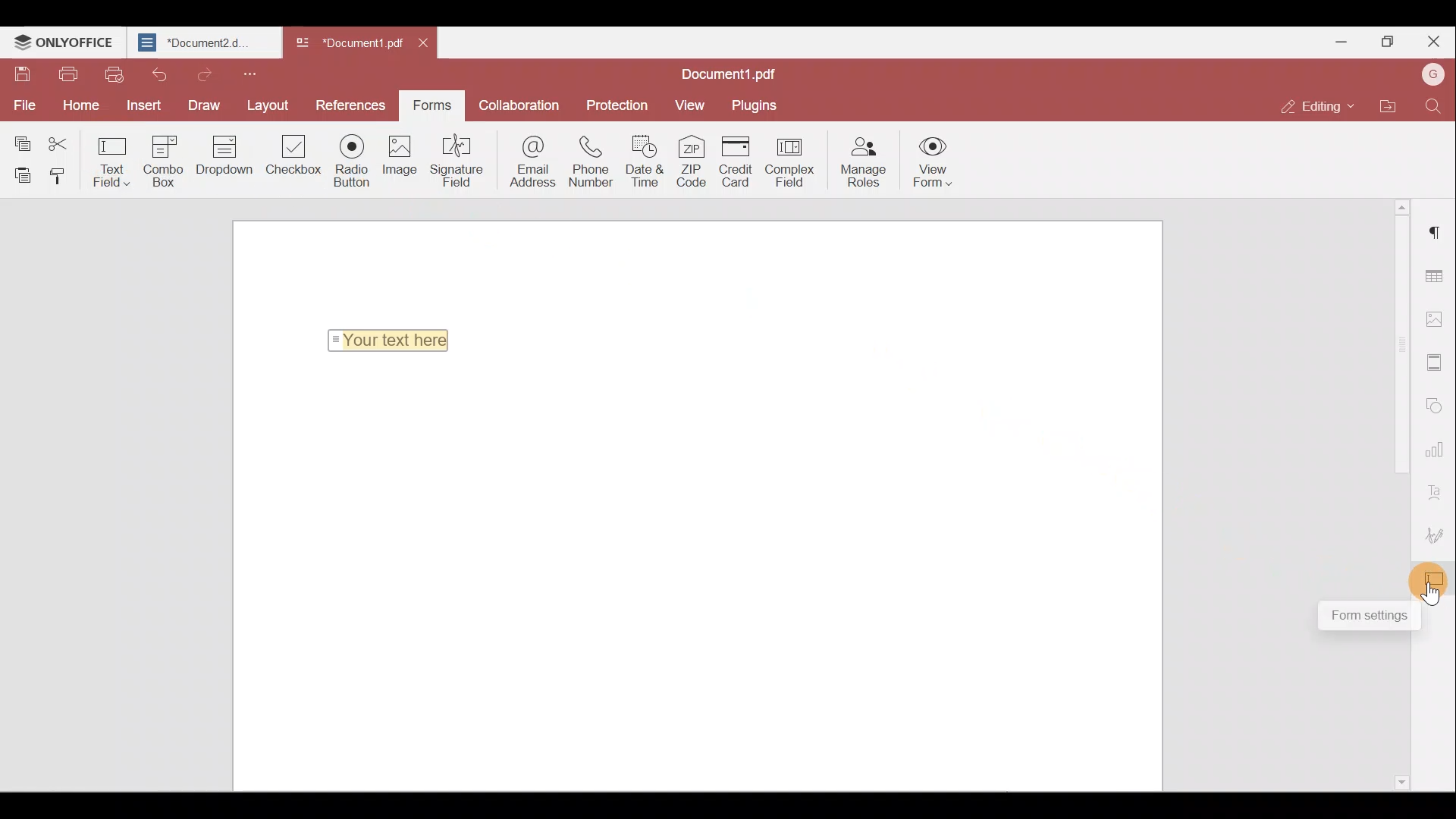 This screenshot has height=819, width=1456. Describe the element at coordinates (1438, 406) in the screenshot. I see `Shapes settings` at that location.